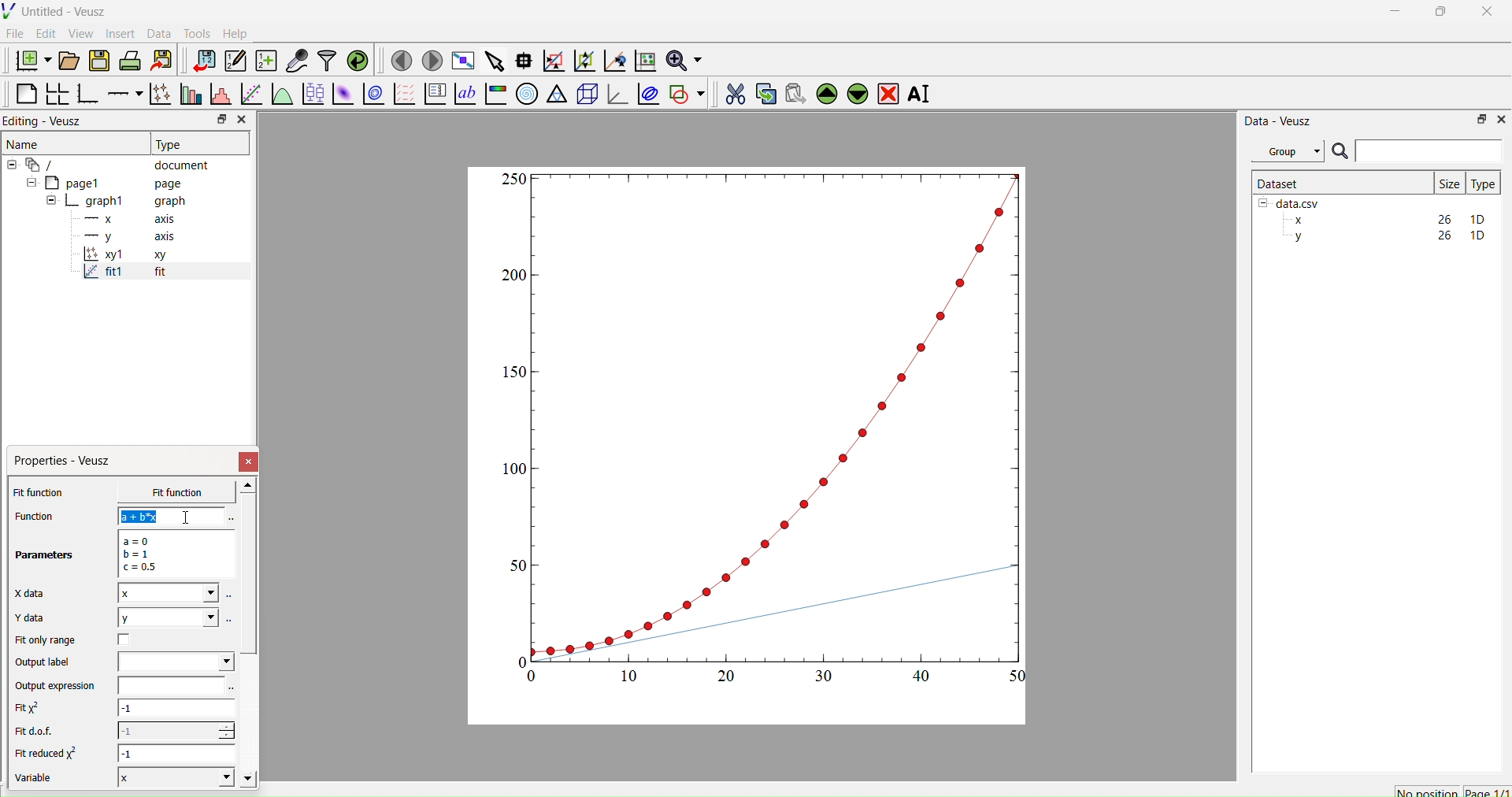 This screenshot has width=1512, height=797. Describe the element at coordinates (1291, 202) in the screenshot. I see `data.csv` at that location.